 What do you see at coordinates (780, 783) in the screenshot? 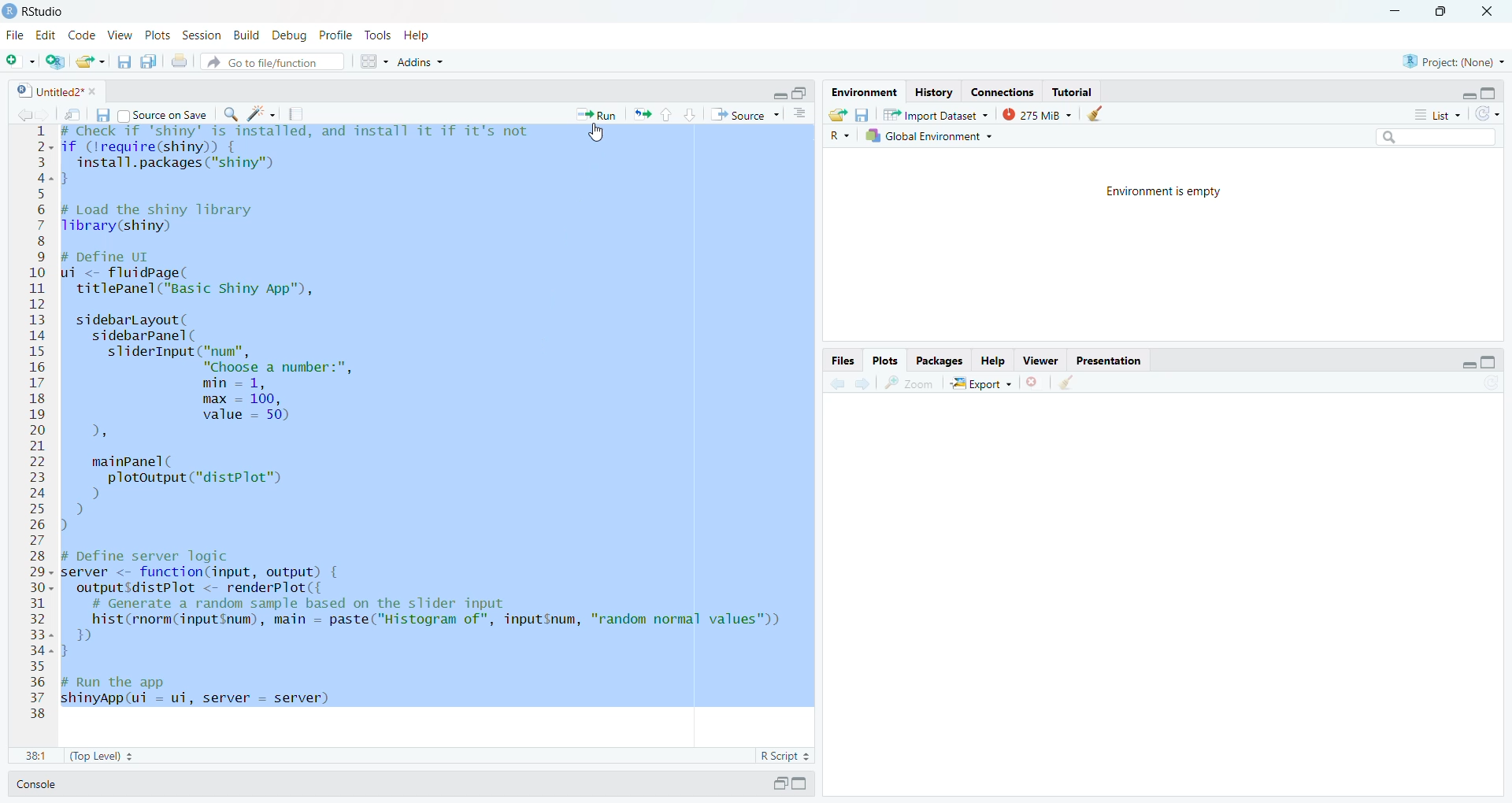
I see `resize` at bounding box center [780, 783].